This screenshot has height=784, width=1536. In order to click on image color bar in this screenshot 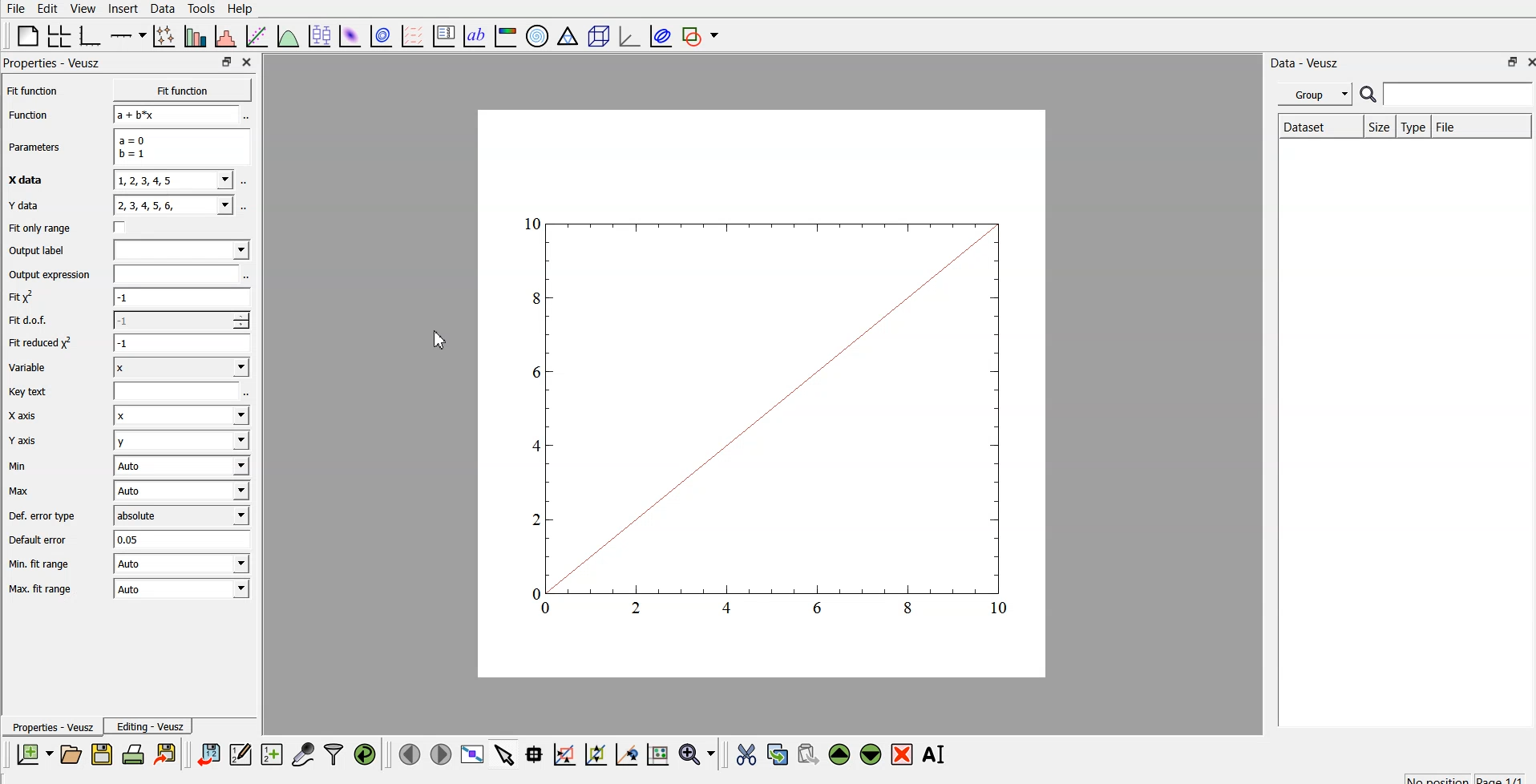, I will do `click(509, 36)`.